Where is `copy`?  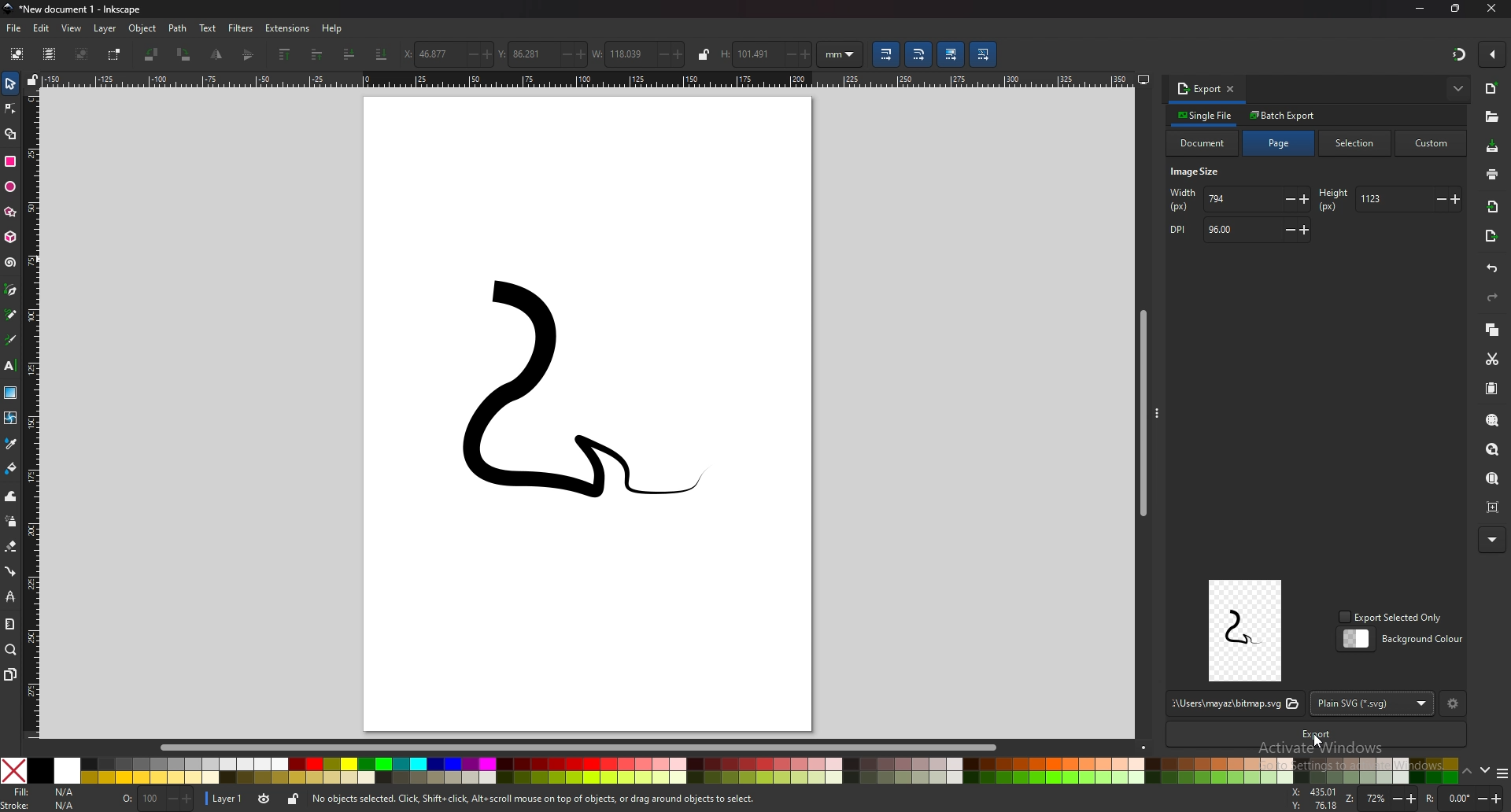 copy is located at coordinates (1493, 329).